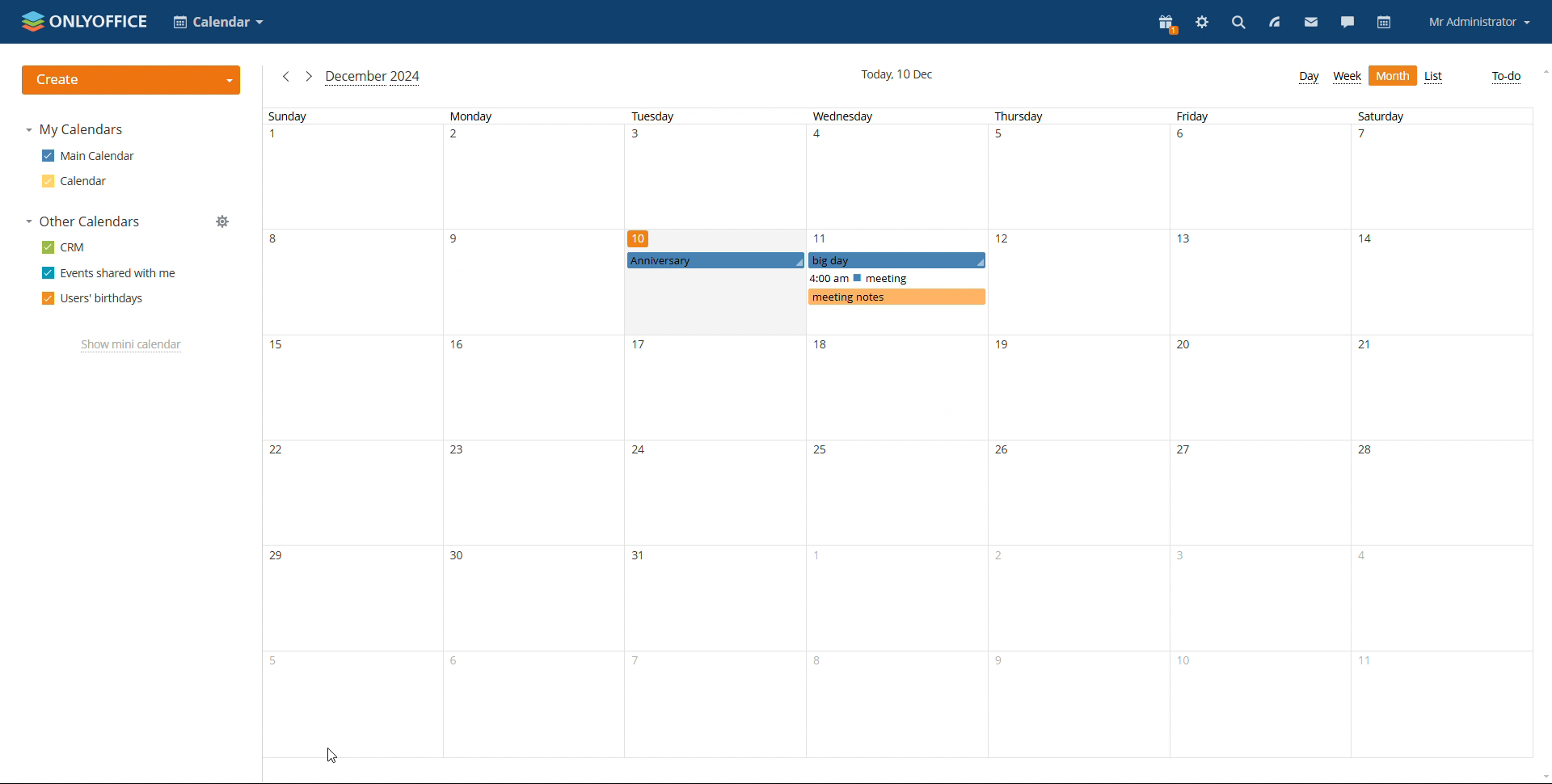 This screenshot has height=784, width=1552. What do you see at coordinates (1383, 23) in the screenshot?
I see `calendar` at bounding box center [1383, 23].